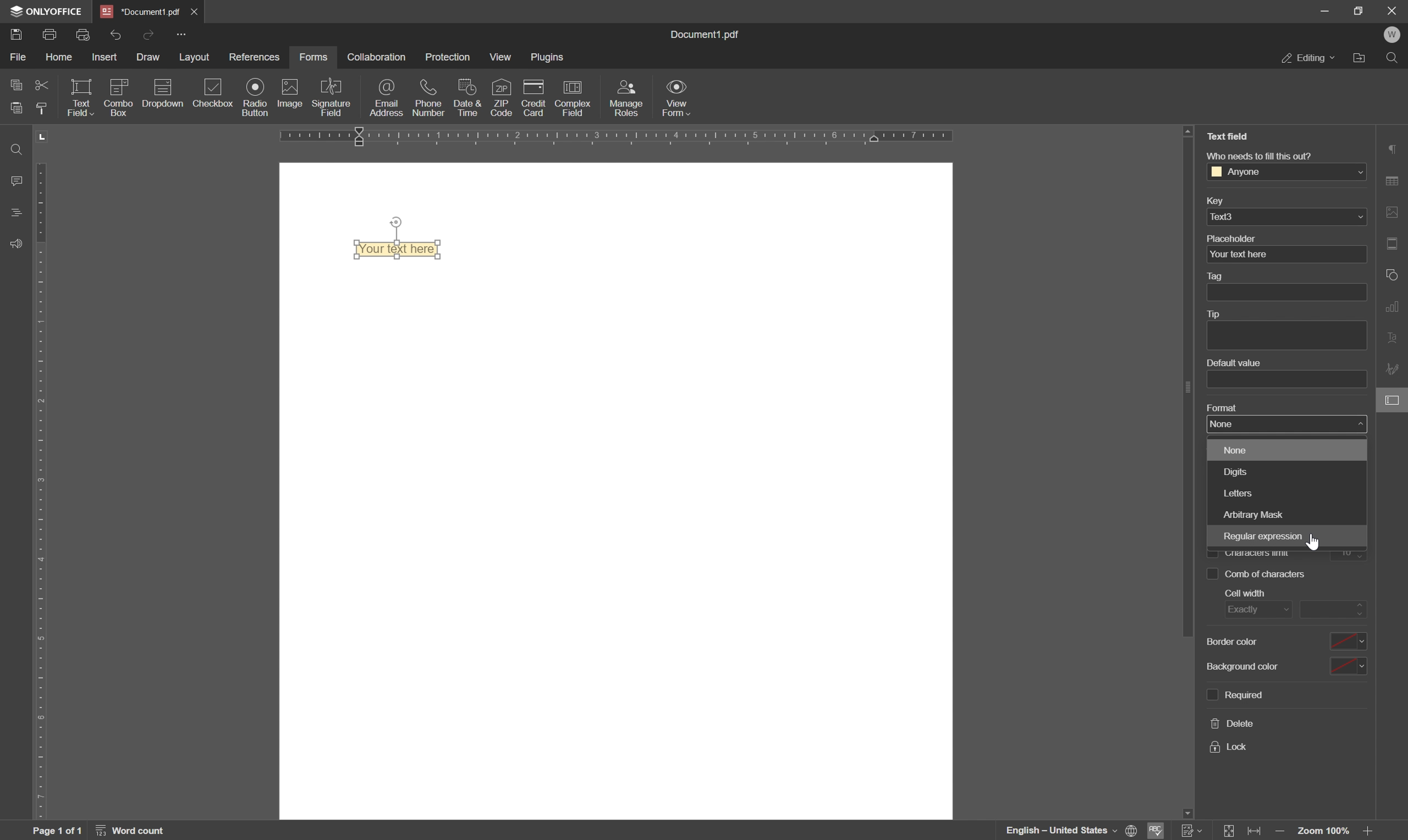  What do you see at coordinates (1291, 292) in the screenshot?
I see `tag textbox` at bounding box center [1291, 292].